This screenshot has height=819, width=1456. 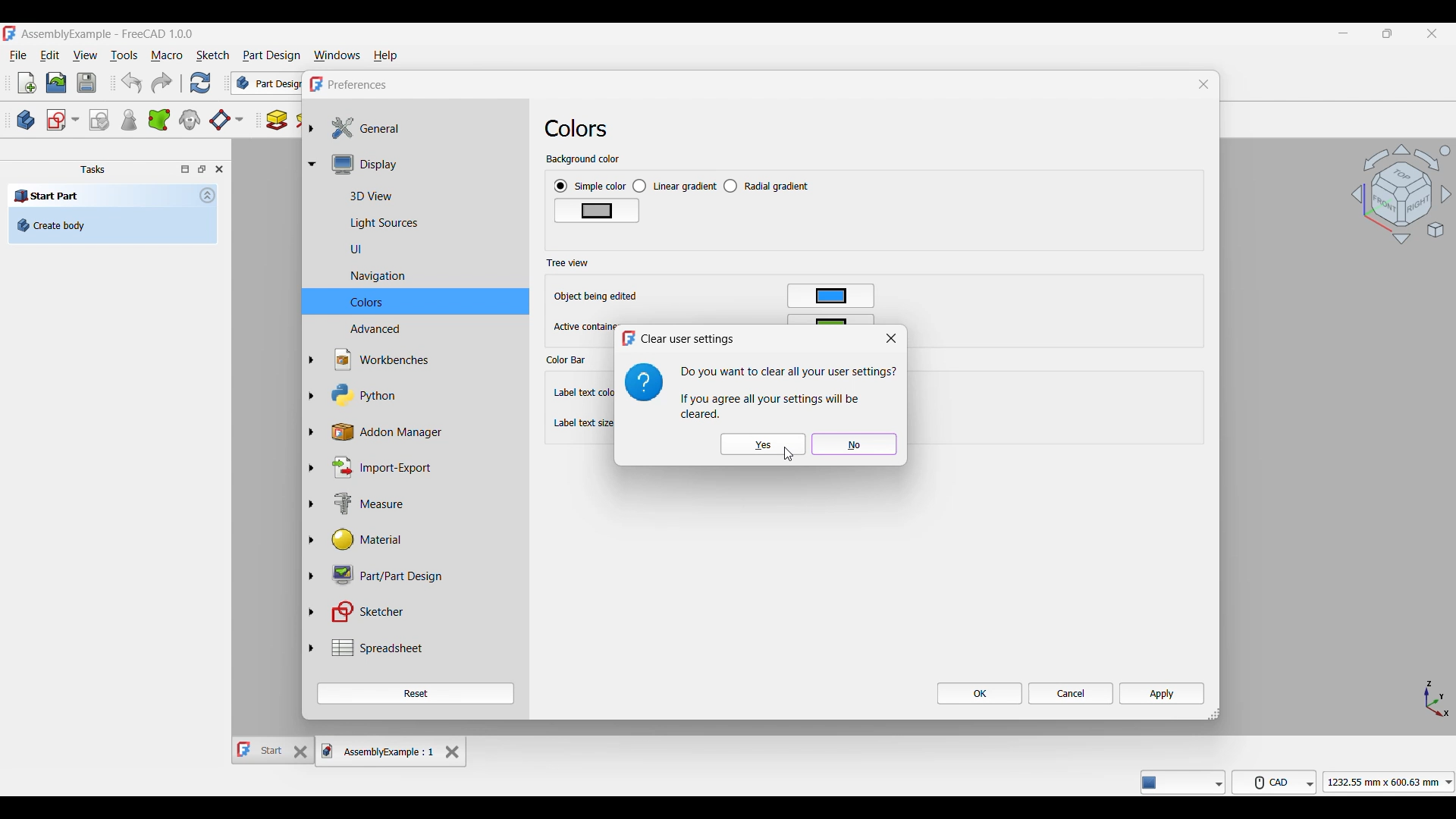 I want to click on Python, so click(x=354, y=395).